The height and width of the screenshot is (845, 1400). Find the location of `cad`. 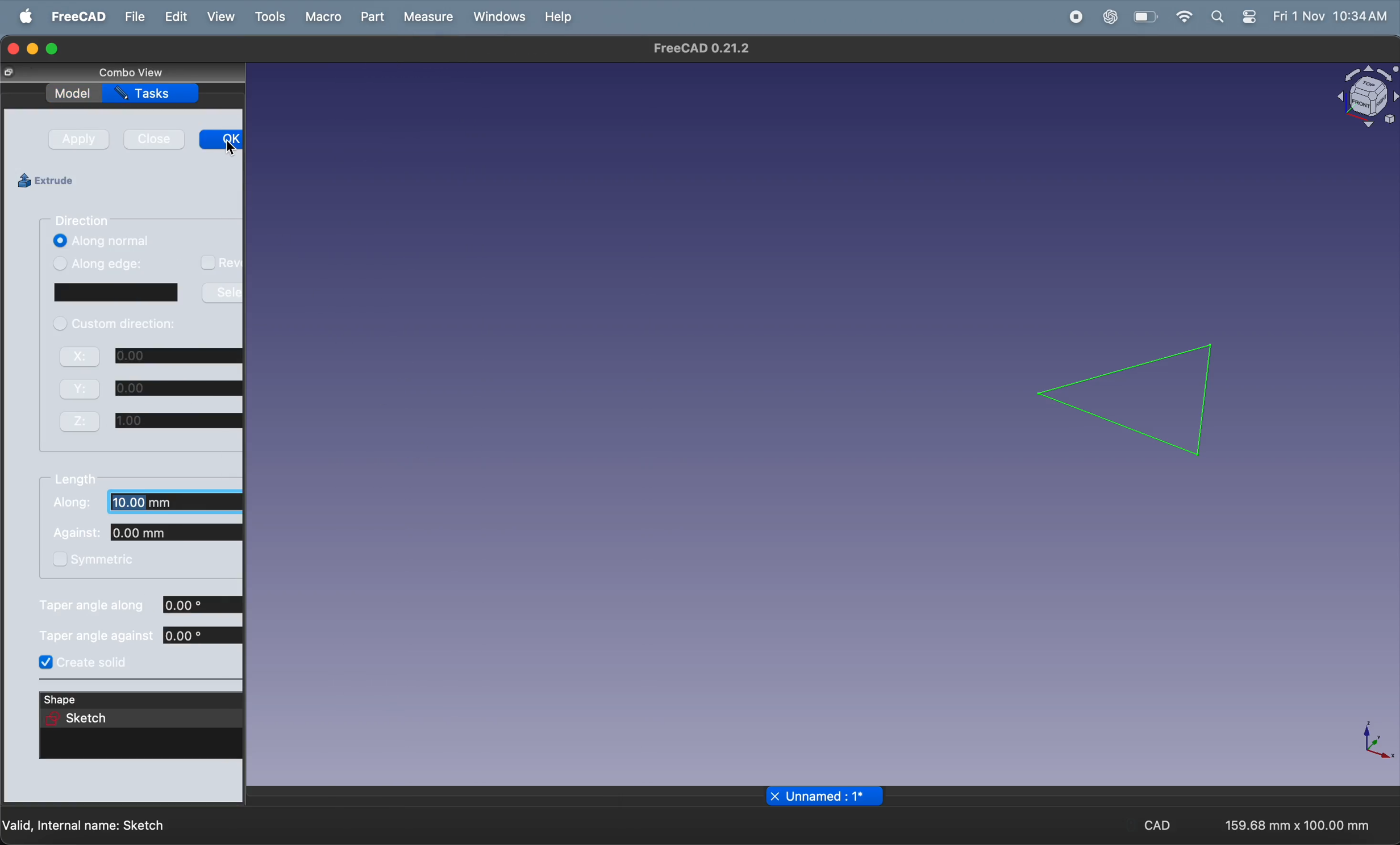

cad is located at coordinates (1162, 826).